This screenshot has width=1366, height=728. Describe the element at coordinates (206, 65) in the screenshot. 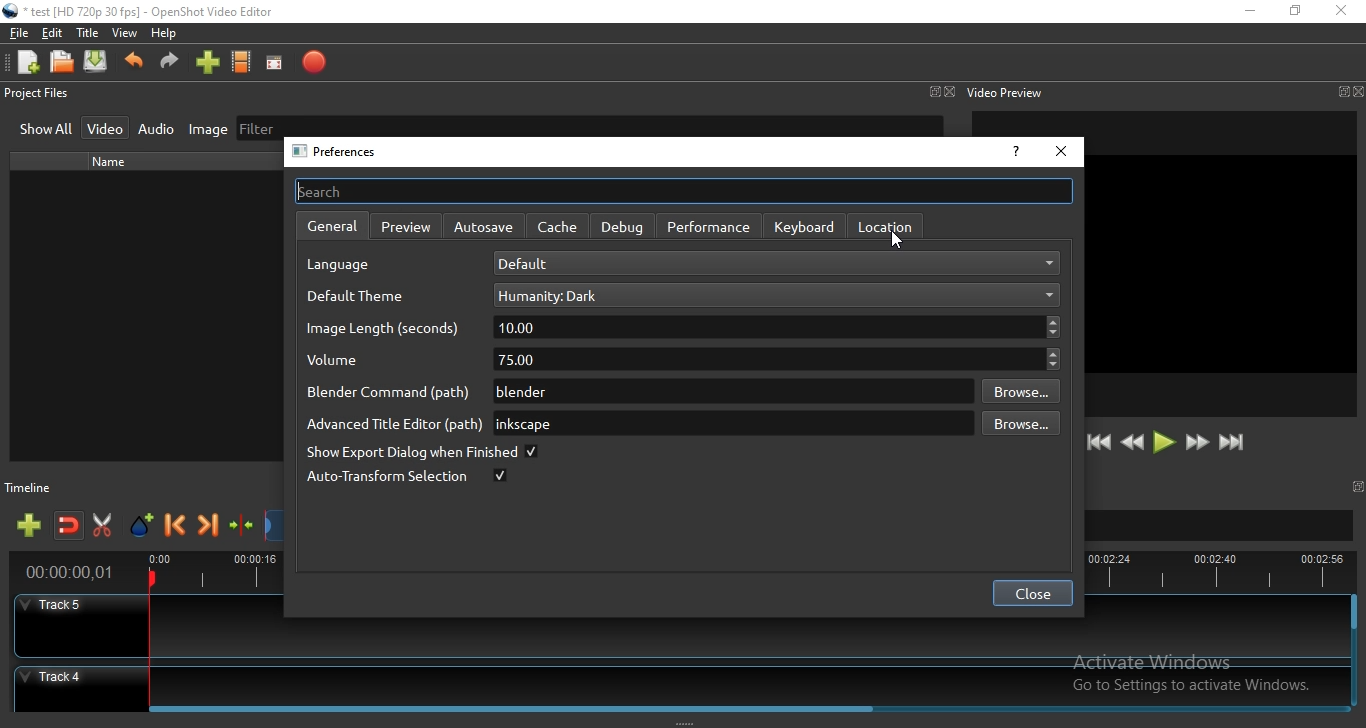

I see `import files` at that location.